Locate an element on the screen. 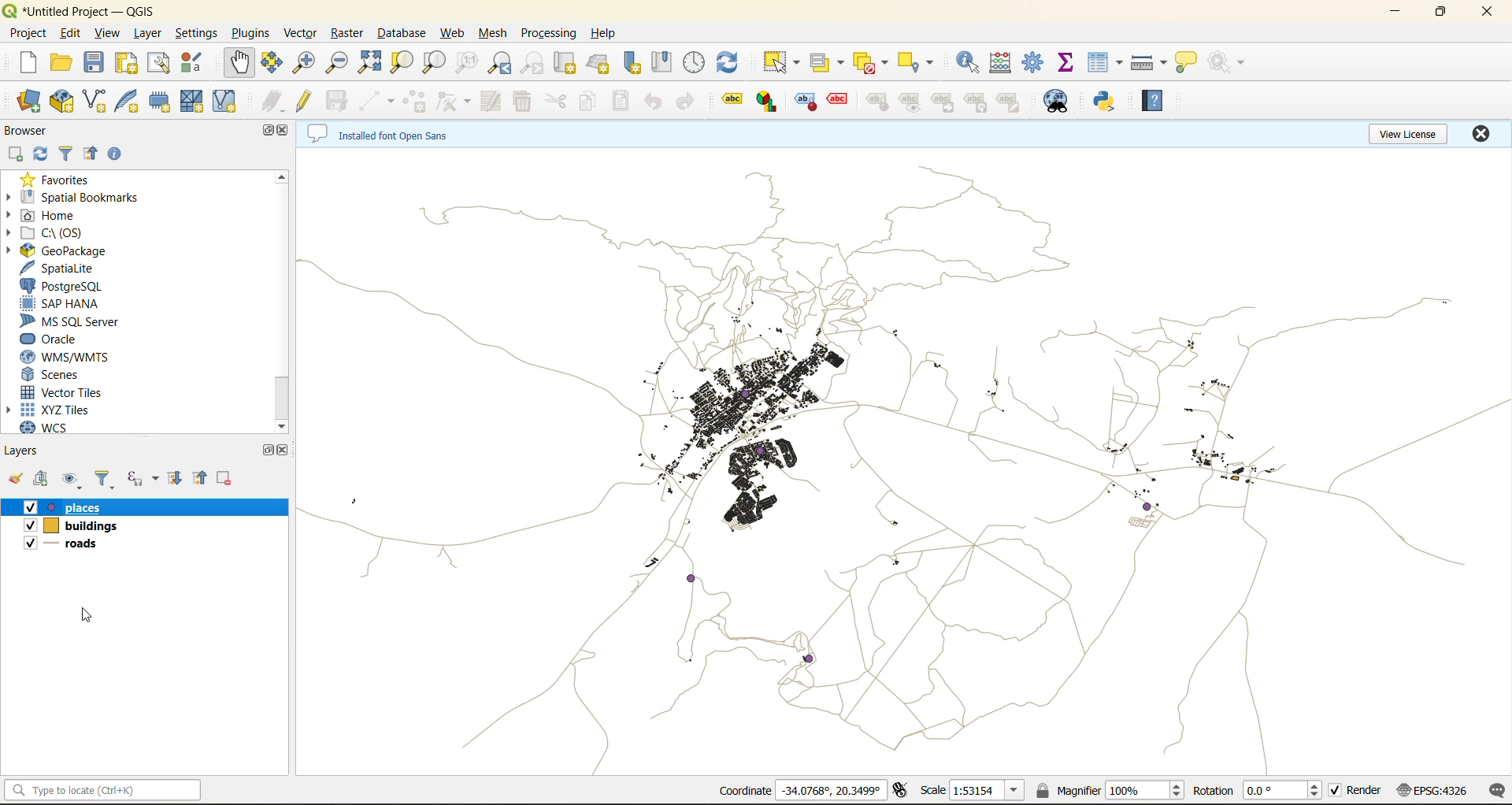  shape file added is located at coordinates (75, 546).